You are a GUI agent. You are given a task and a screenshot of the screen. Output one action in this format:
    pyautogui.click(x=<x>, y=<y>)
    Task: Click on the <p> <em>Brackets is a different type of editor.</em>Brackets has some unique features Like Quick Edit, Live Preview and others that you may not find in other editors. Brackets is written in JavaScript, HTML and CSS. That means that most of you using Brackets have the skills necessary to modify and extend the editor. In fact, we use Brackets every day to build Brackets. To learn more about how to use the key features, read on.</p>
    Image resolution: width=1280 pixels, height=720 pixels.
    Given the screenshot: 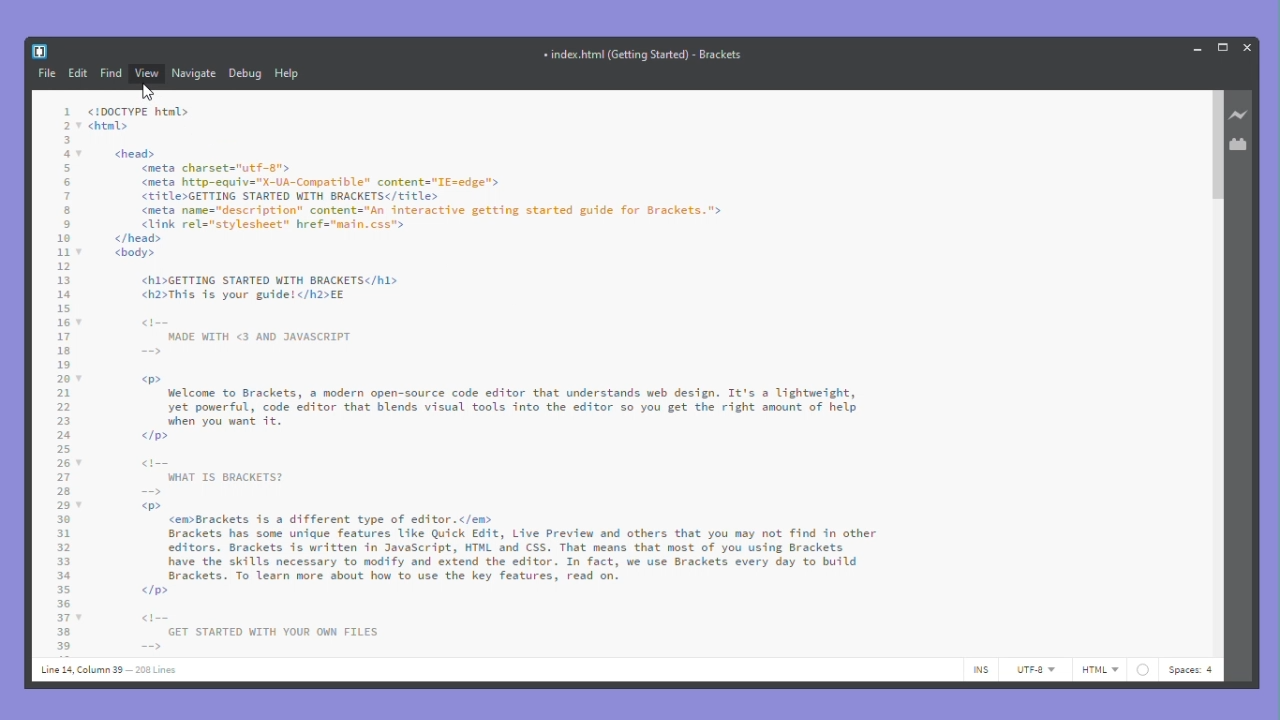 What is the action you would take?
    pyautogui.click(x=511, y=549)
    